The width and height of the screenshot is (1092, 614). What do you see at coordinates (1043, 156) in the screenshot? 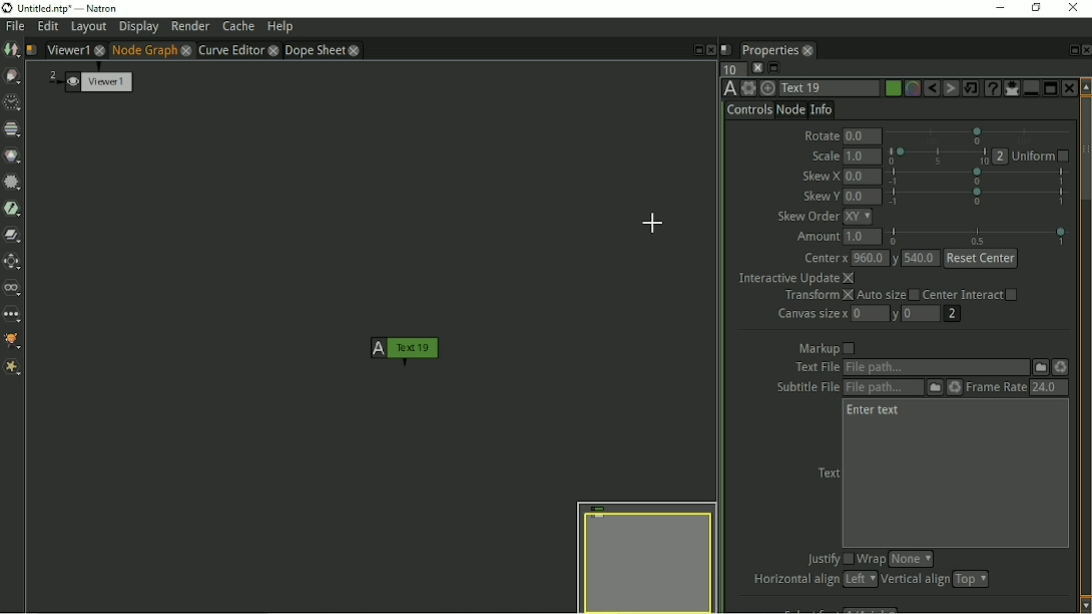
I see `Uniform` at bounding box center [1043, 156].